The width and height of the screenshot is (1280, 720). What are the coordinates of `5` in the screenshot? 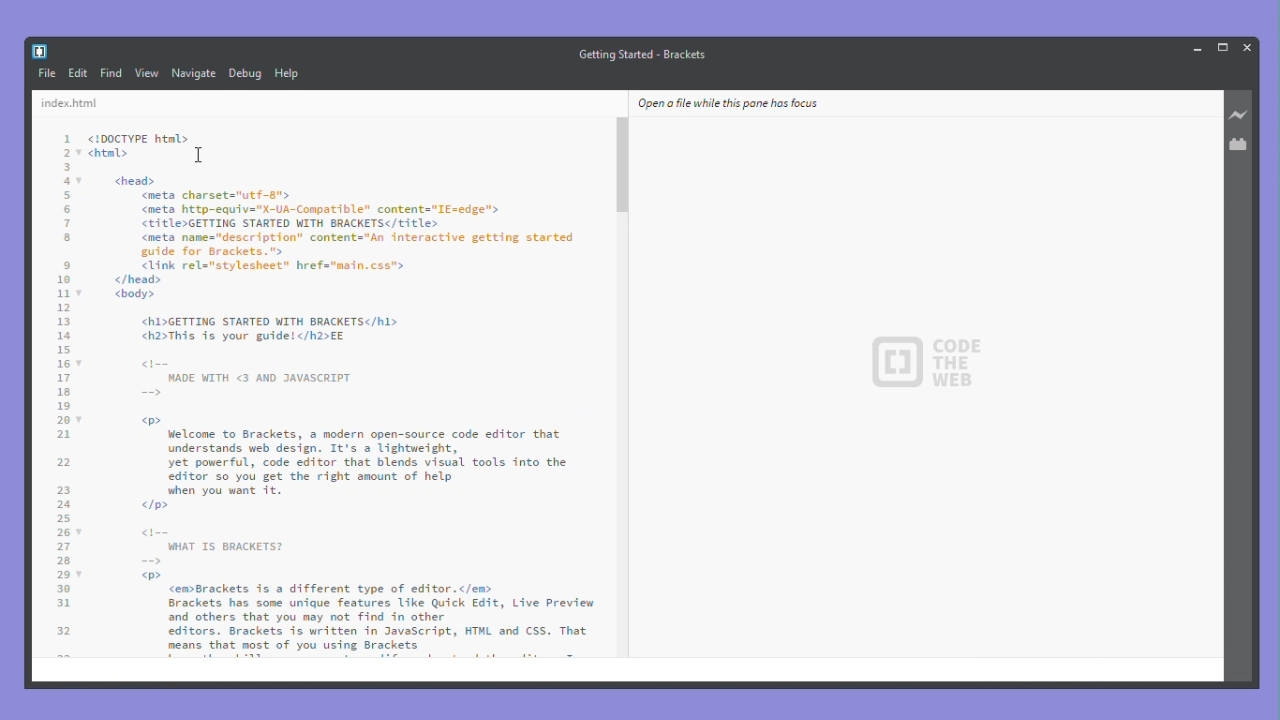 It's located at (68, 196).